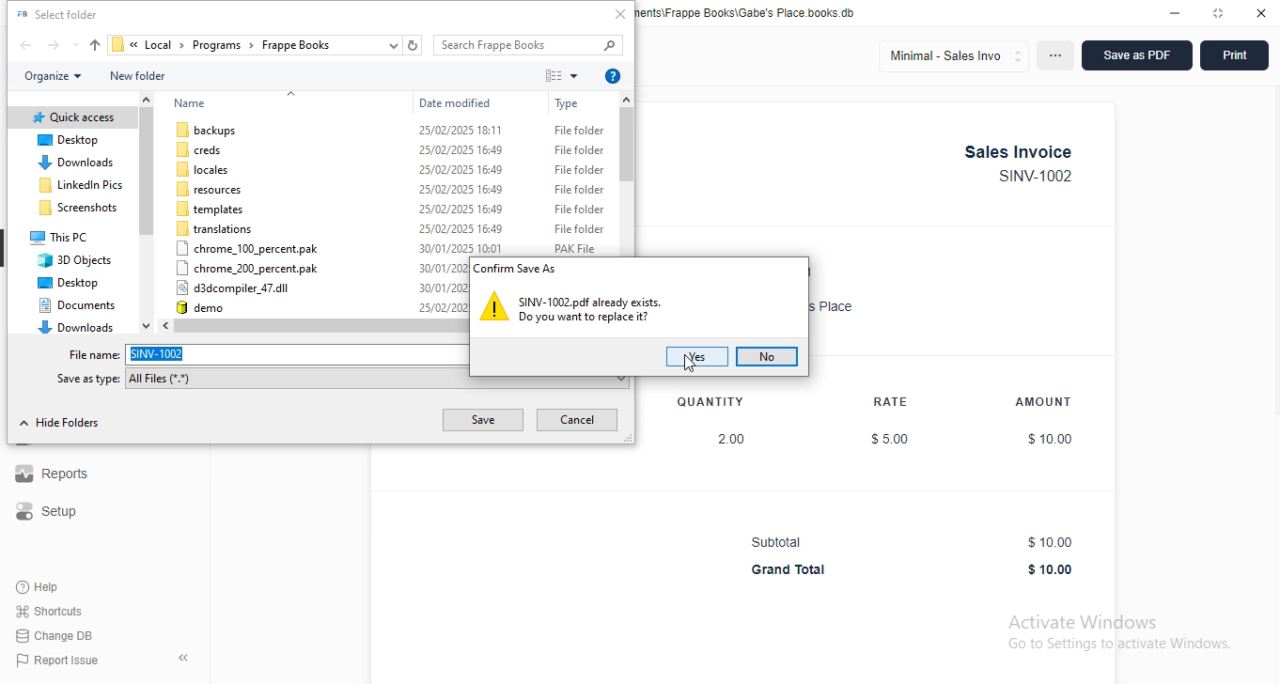  What do you see at coordinates (442, 307) in the screenshot?
I see `25/02/2025 18:31` at bounding box center [442, 307].